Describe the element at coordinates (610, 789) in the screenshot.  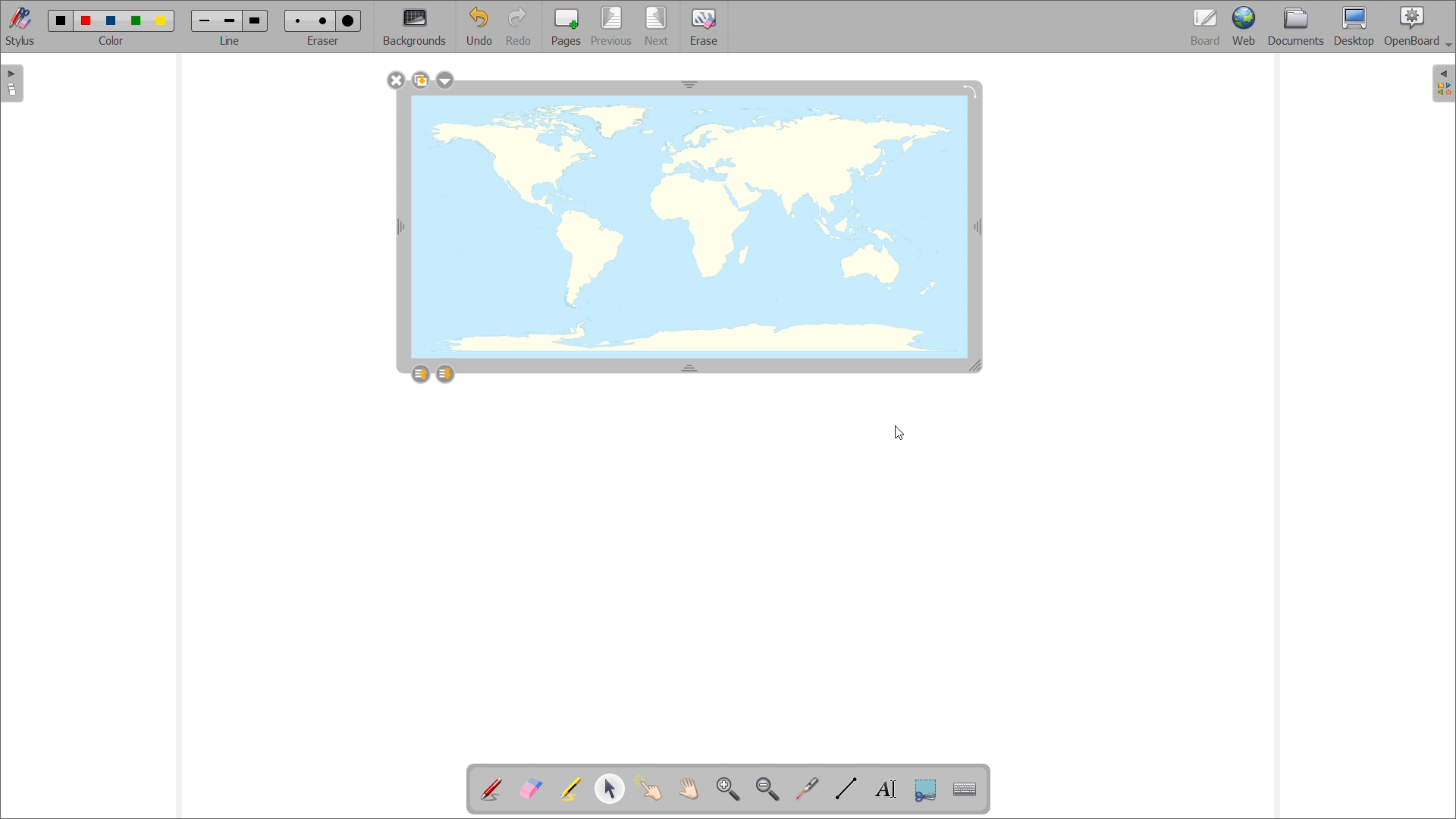
I see `select and modify object` at that location.